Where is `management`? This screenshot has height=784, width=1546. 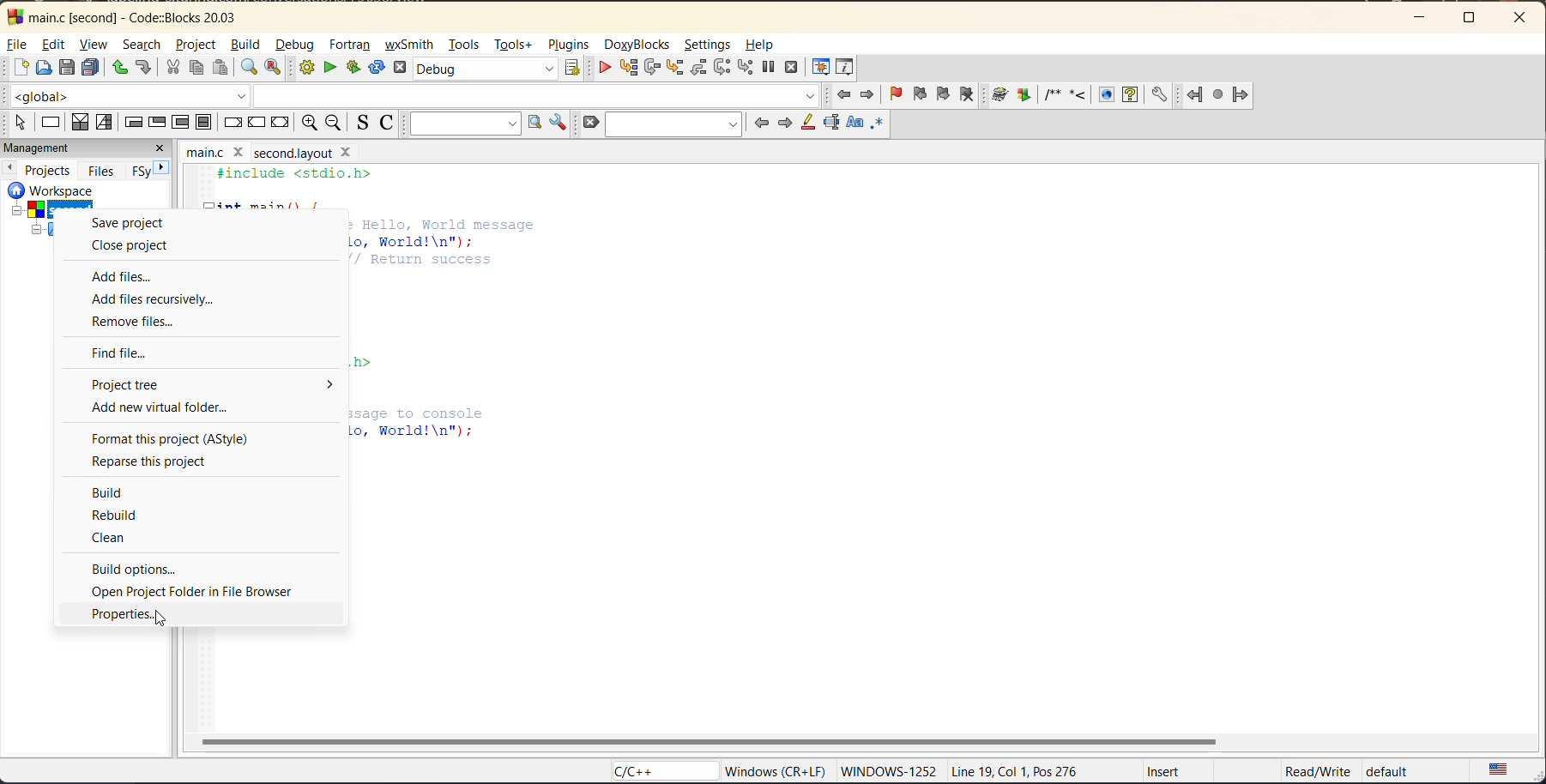
management is located at coordinates (67, 148).